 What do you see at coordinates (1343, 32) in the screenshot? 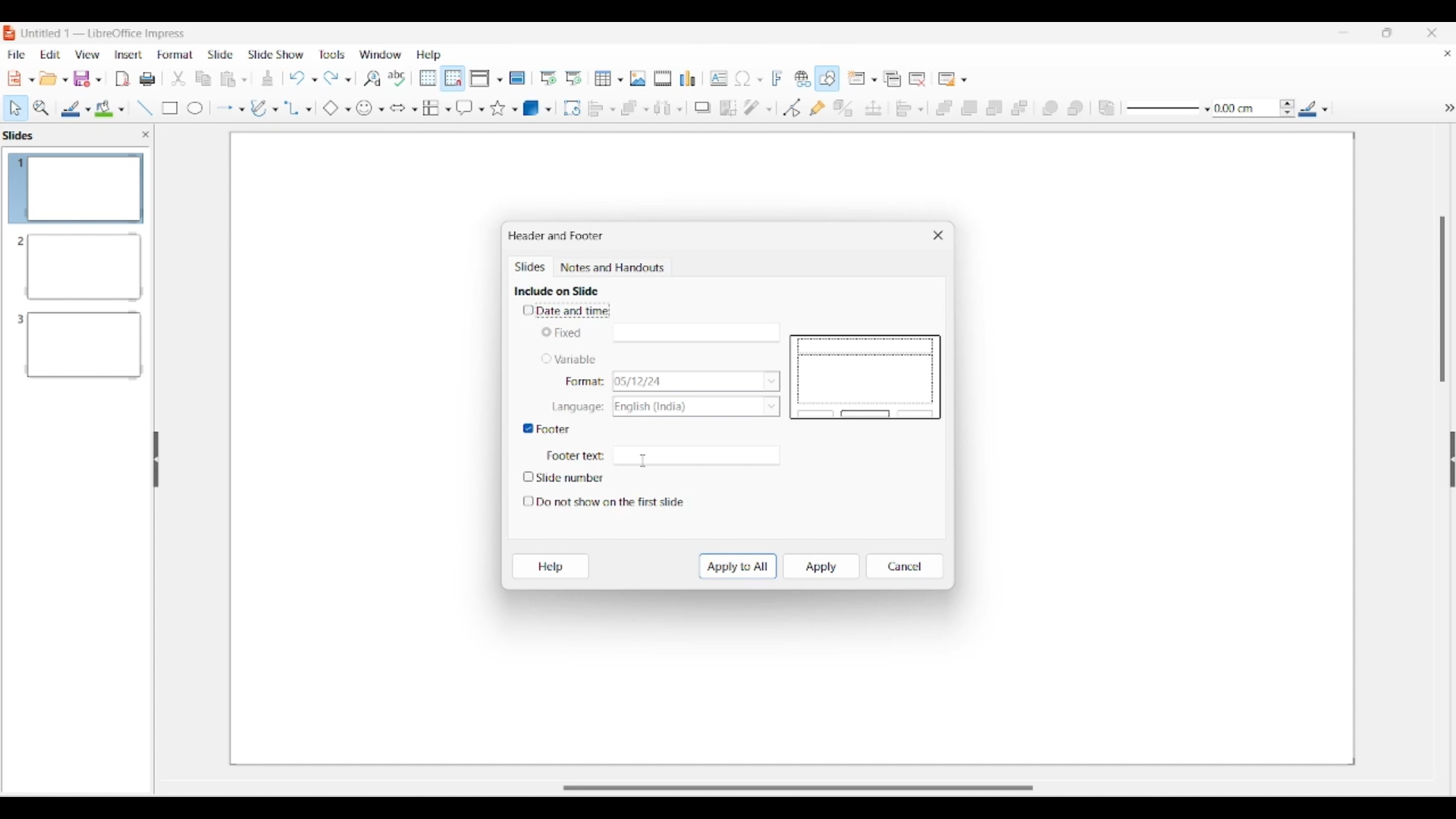
I see `Minimize` at bounding box center [1343, 32].